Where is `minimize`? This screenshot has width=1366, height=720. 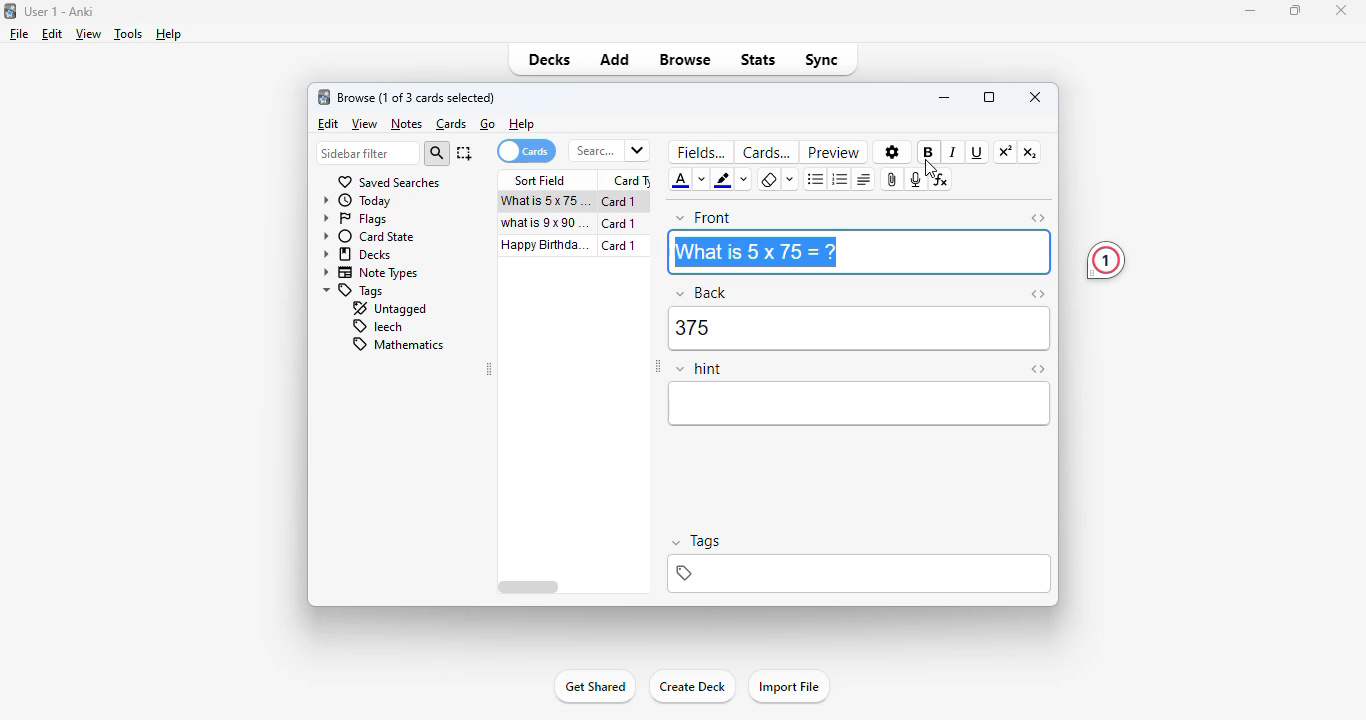
minimize is located at coordinates (944, 98).